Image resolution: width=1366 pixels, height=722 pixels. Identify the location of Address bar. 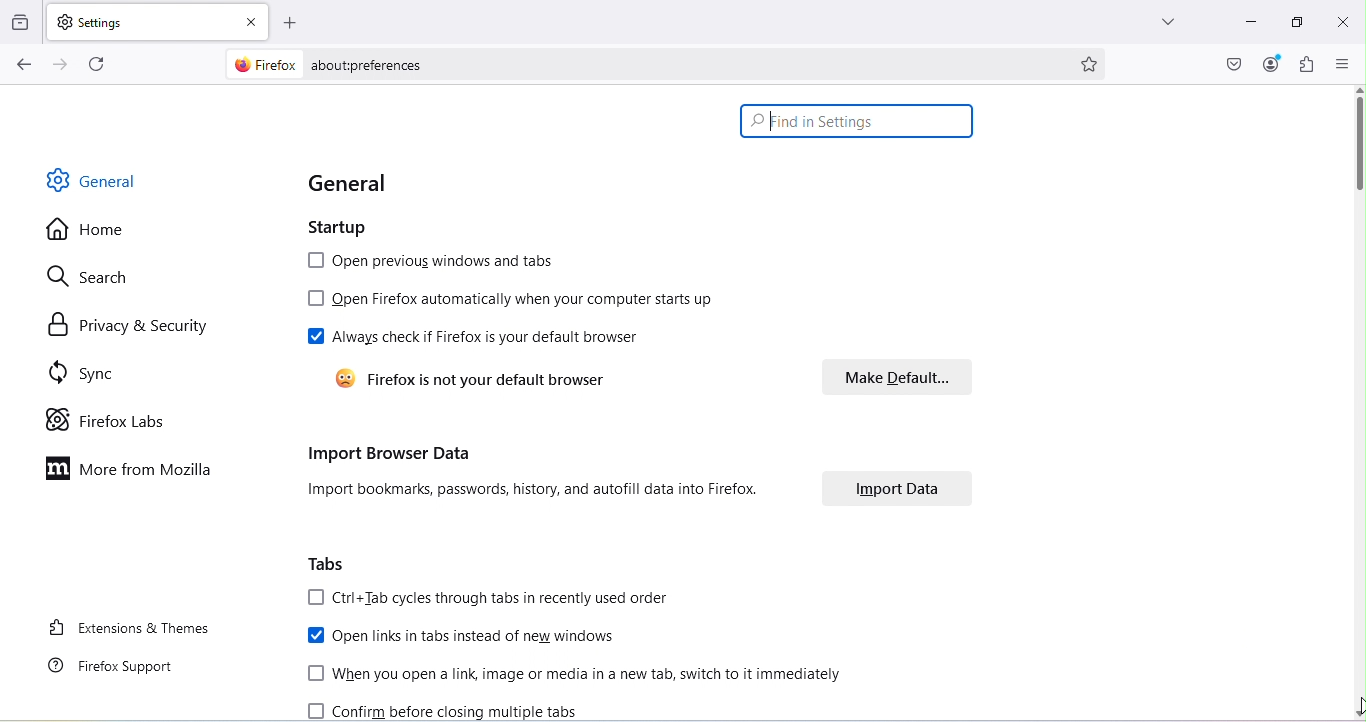
(683, 64).